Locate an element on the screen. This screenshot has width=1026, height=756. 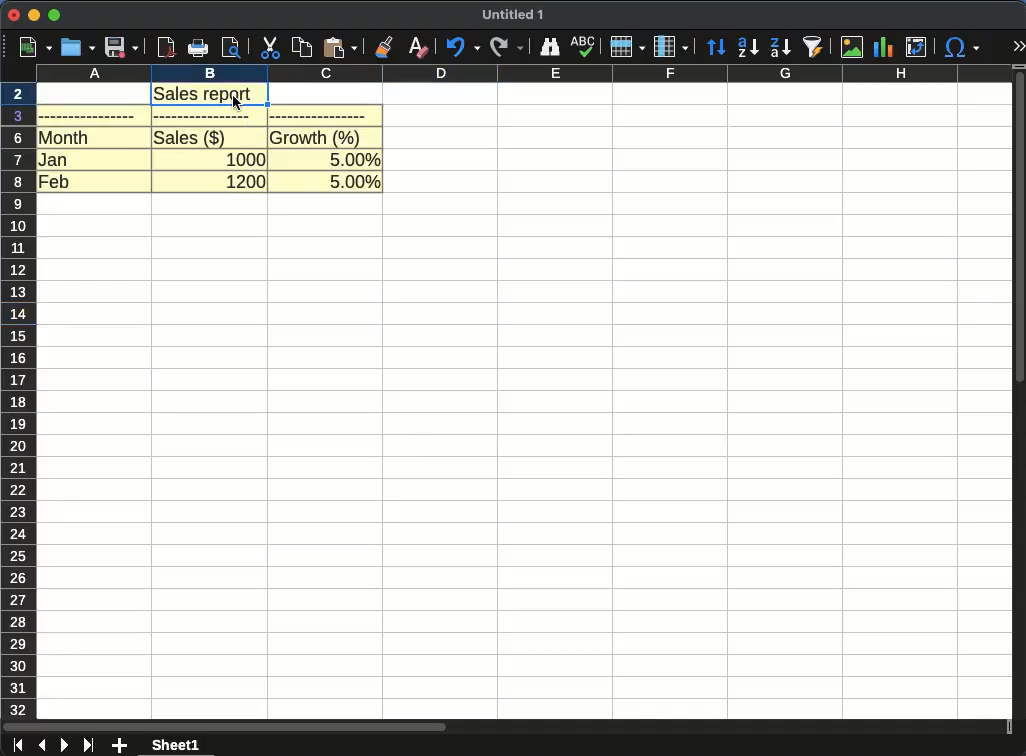
UNTITLED 1 is located at coordinates (513, 16).